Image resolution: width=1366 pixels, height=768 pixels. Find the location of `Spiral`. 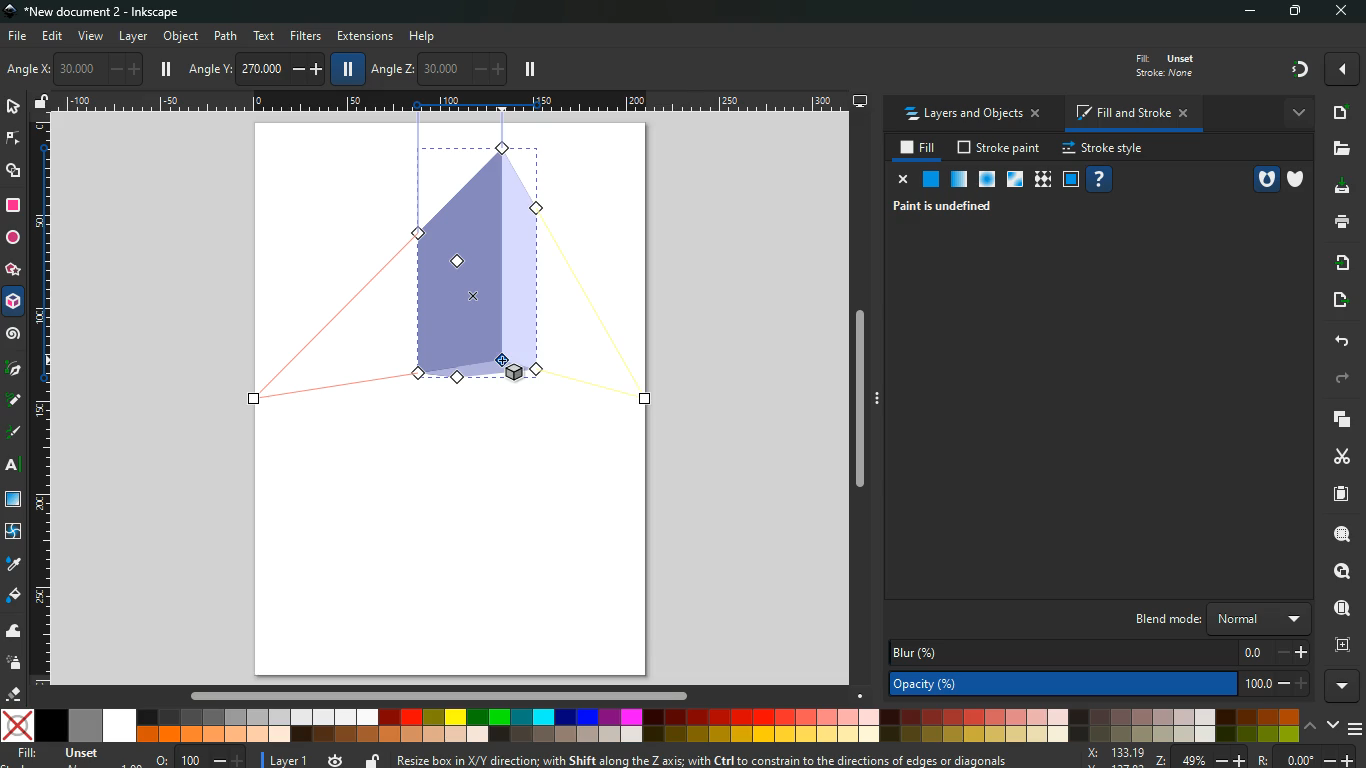

Spiral is located at coordinates (16, 335).